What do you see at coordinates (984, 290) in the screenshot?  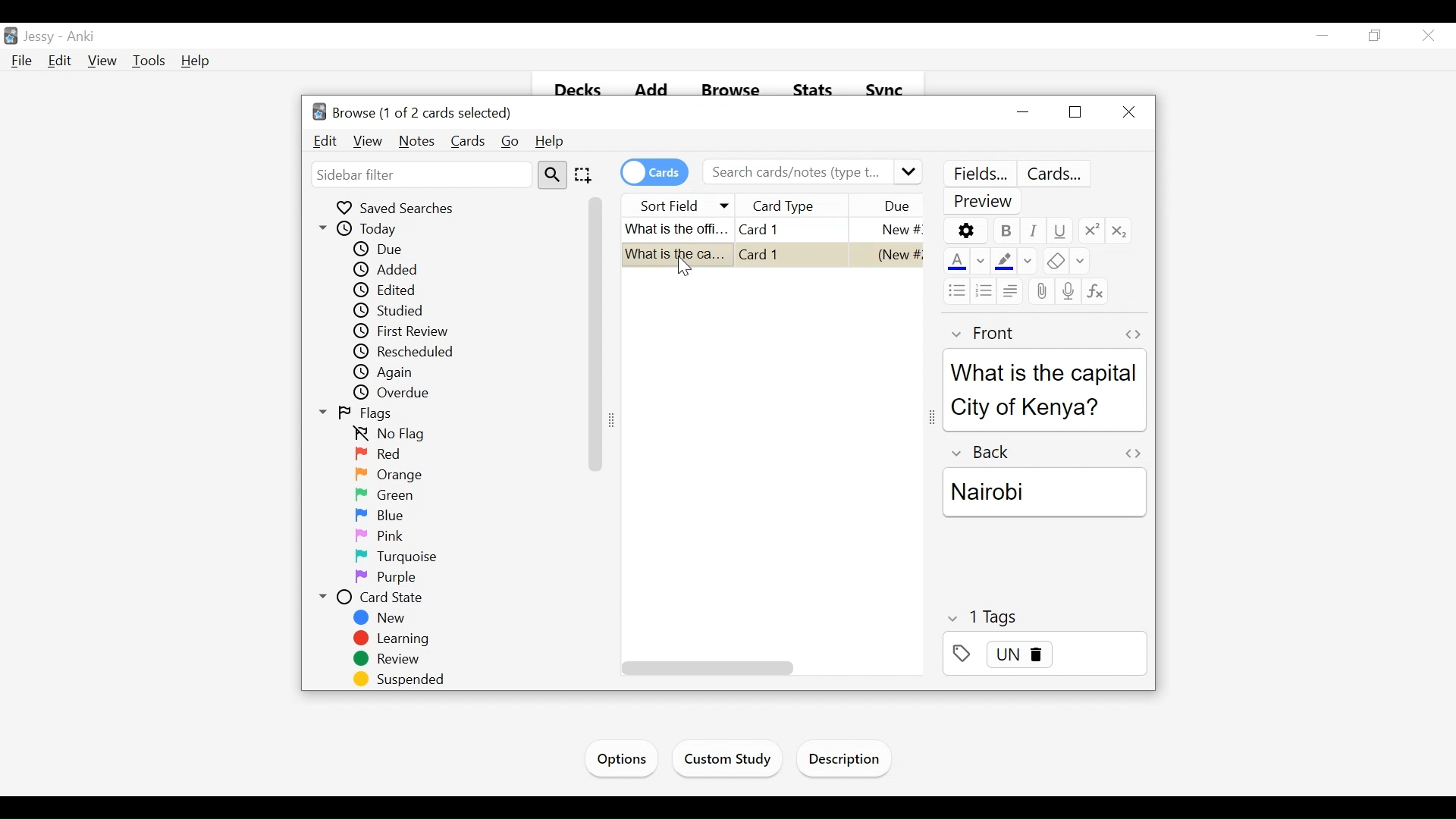 I see `Ordered list` at bounding box center [984, 290].